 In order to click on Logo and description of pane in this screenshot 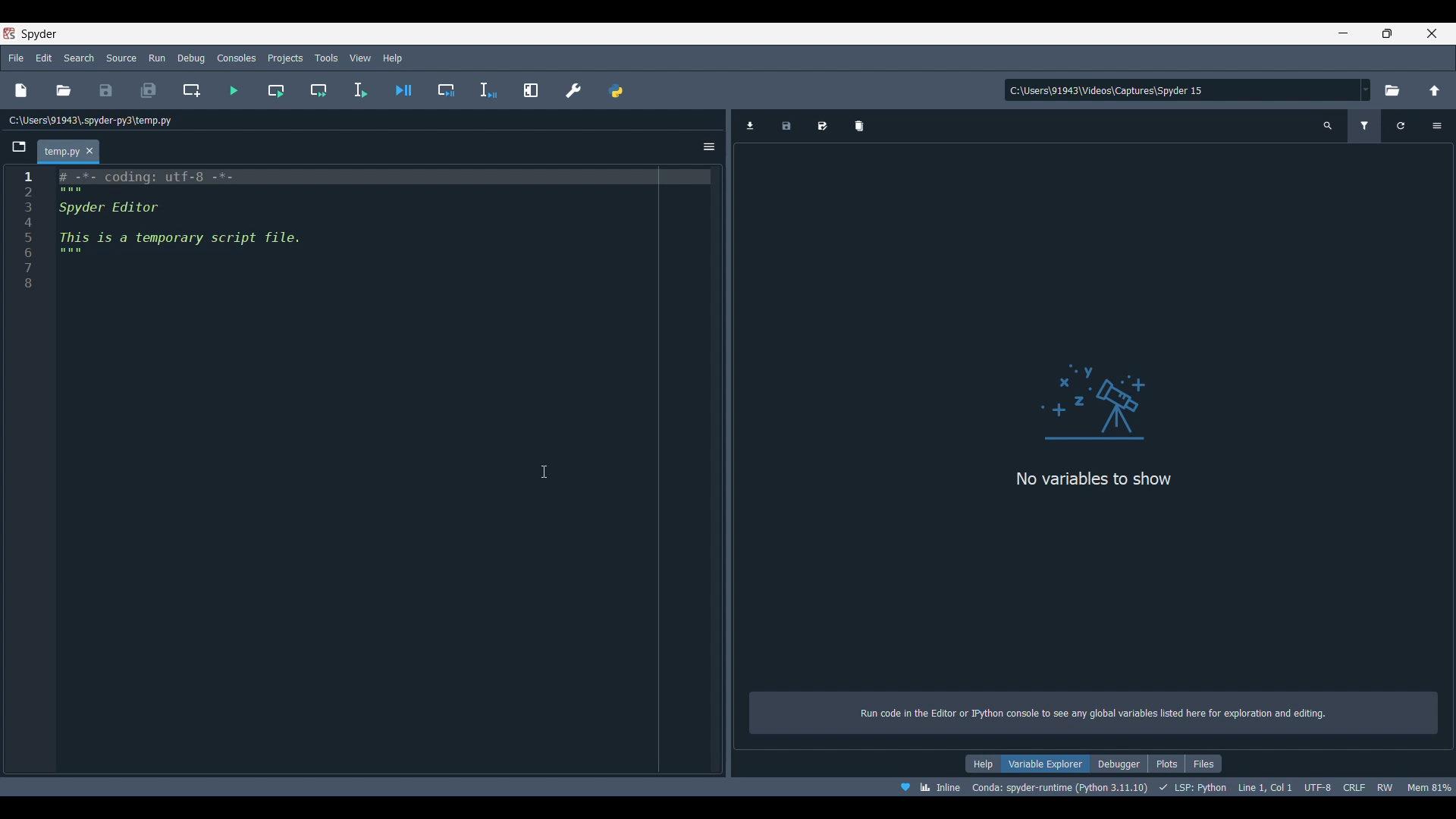, I will do `click(1094, 518)`.